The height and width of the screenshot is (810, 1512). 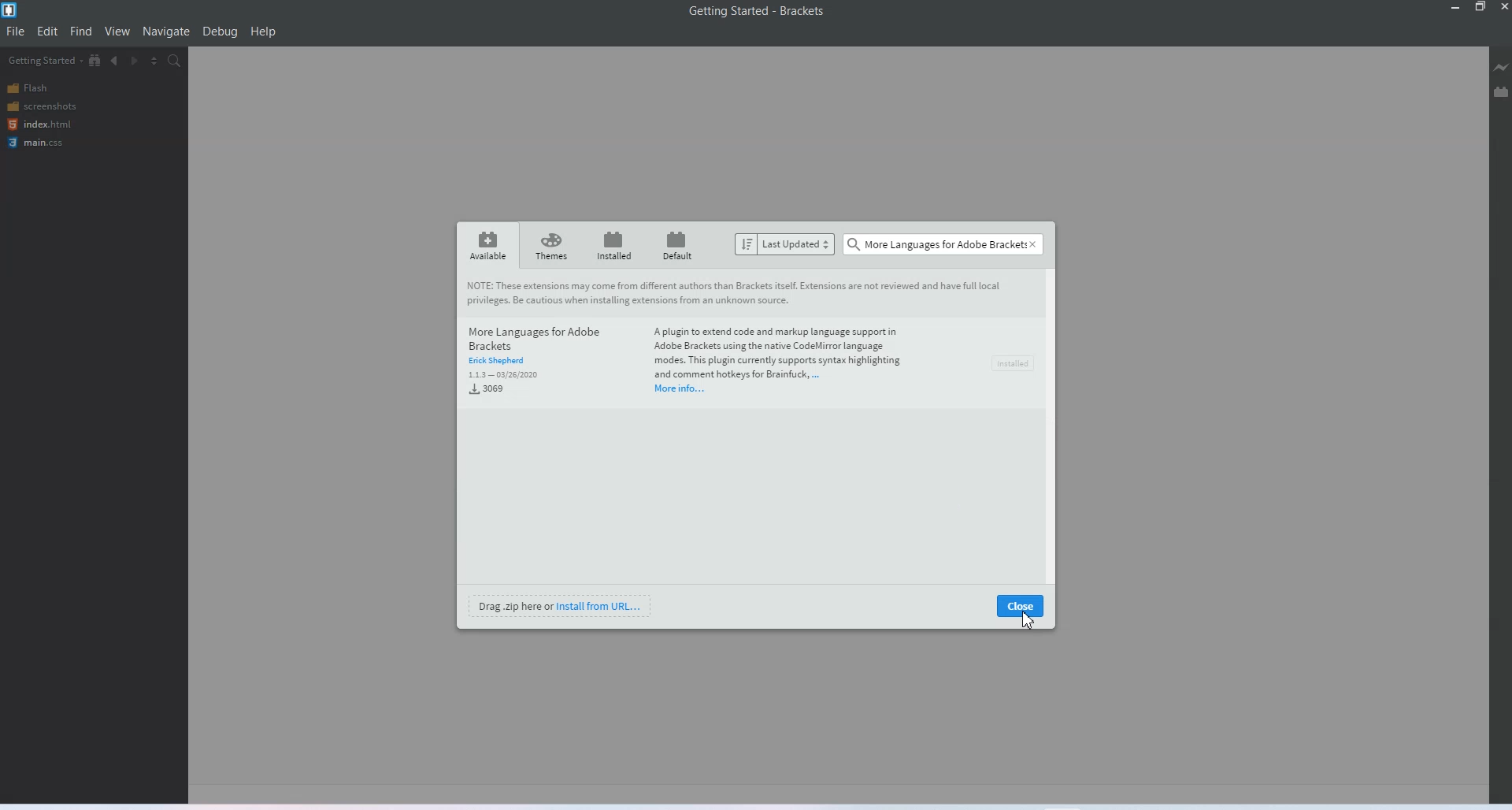 What do you see at coordinates (49, 32) in the screenshot?
I see `Edit` at bounding box center [49, 32].